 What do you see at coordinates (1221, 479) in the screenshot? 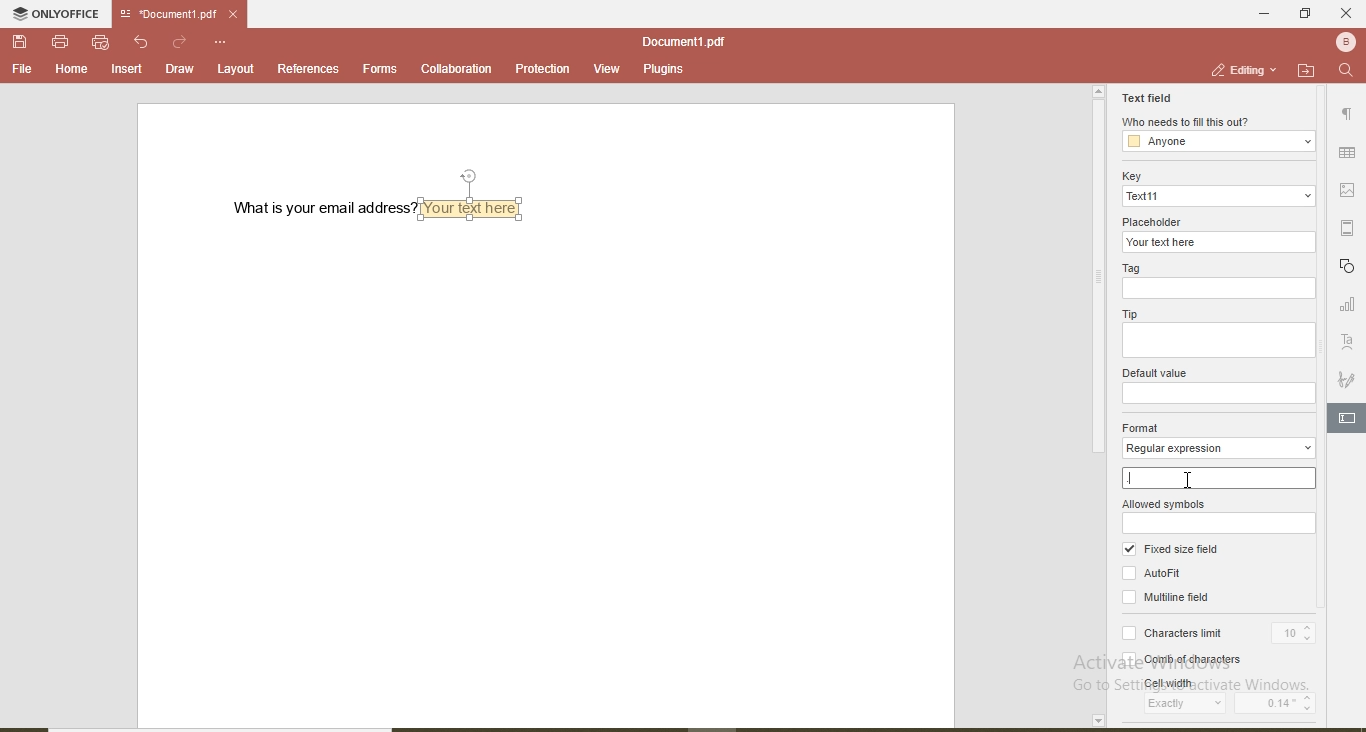
I see `.` at bounding box center [1221, 479].